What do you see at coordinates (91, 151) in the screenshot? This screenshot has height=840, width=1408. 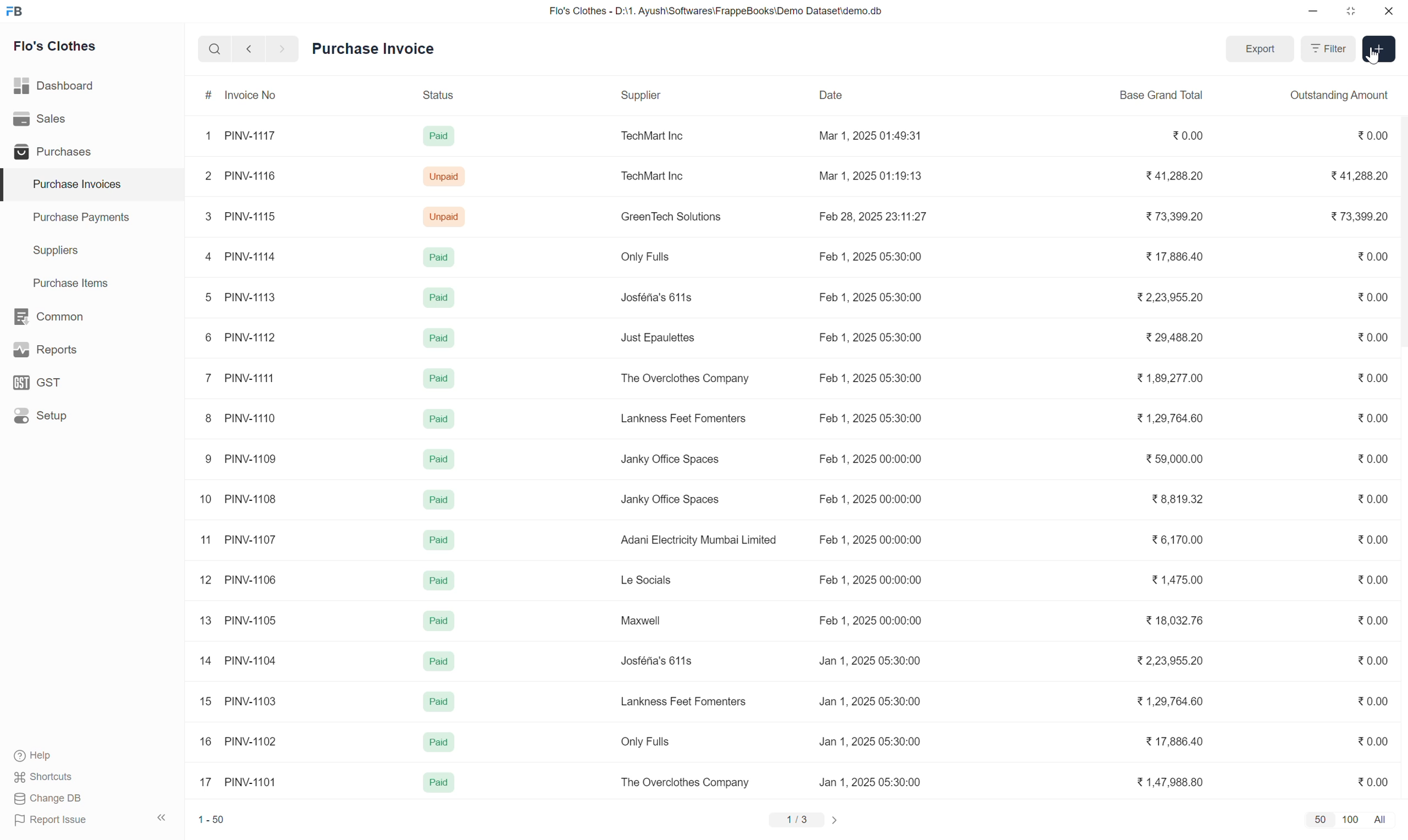 I see `Purchases` at bounding box center [91, 151].